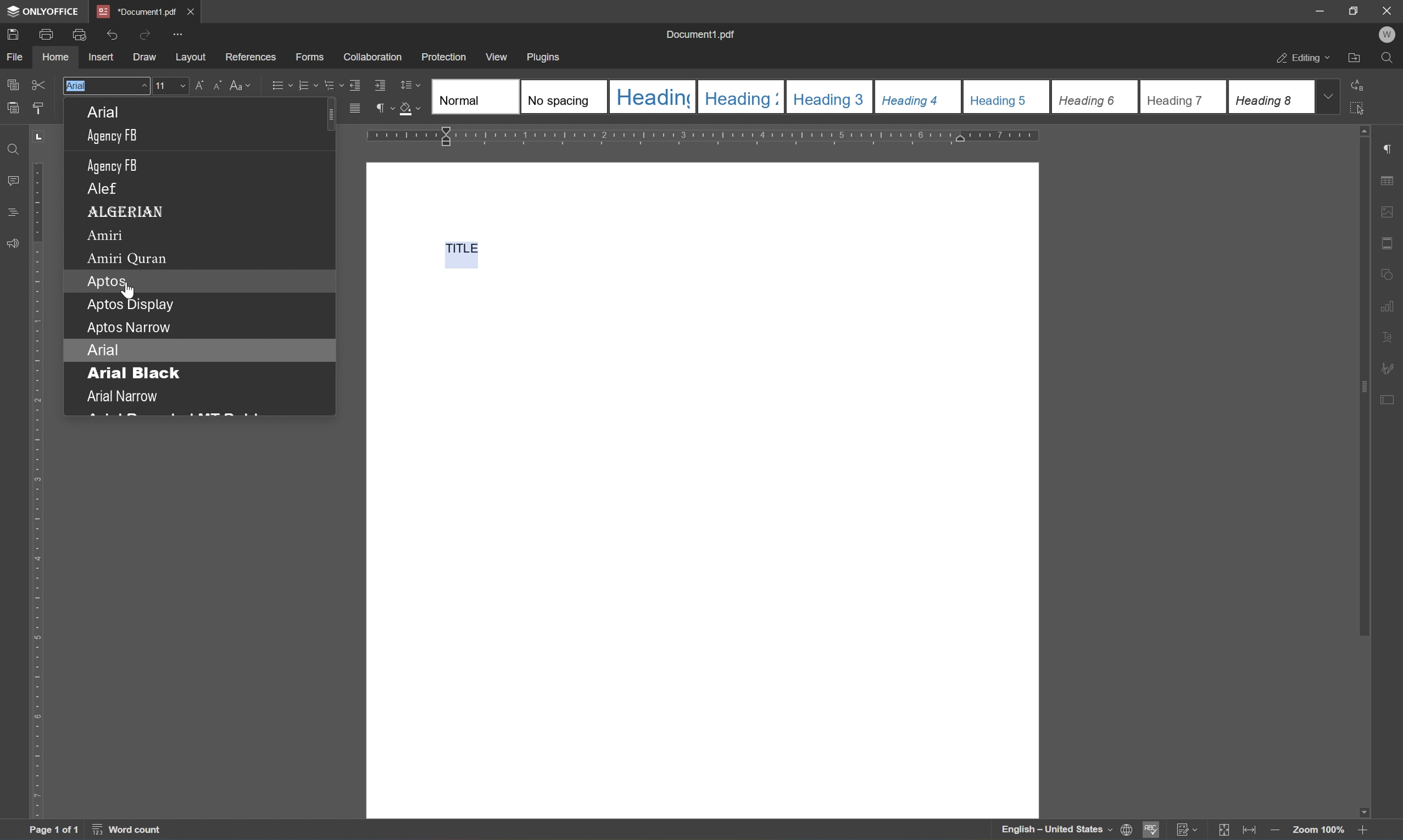 The height and width of the screenshot is (840, 1403). Describe the element at coordinates (147, 35) in the screenshot. I see `redo` at that location.